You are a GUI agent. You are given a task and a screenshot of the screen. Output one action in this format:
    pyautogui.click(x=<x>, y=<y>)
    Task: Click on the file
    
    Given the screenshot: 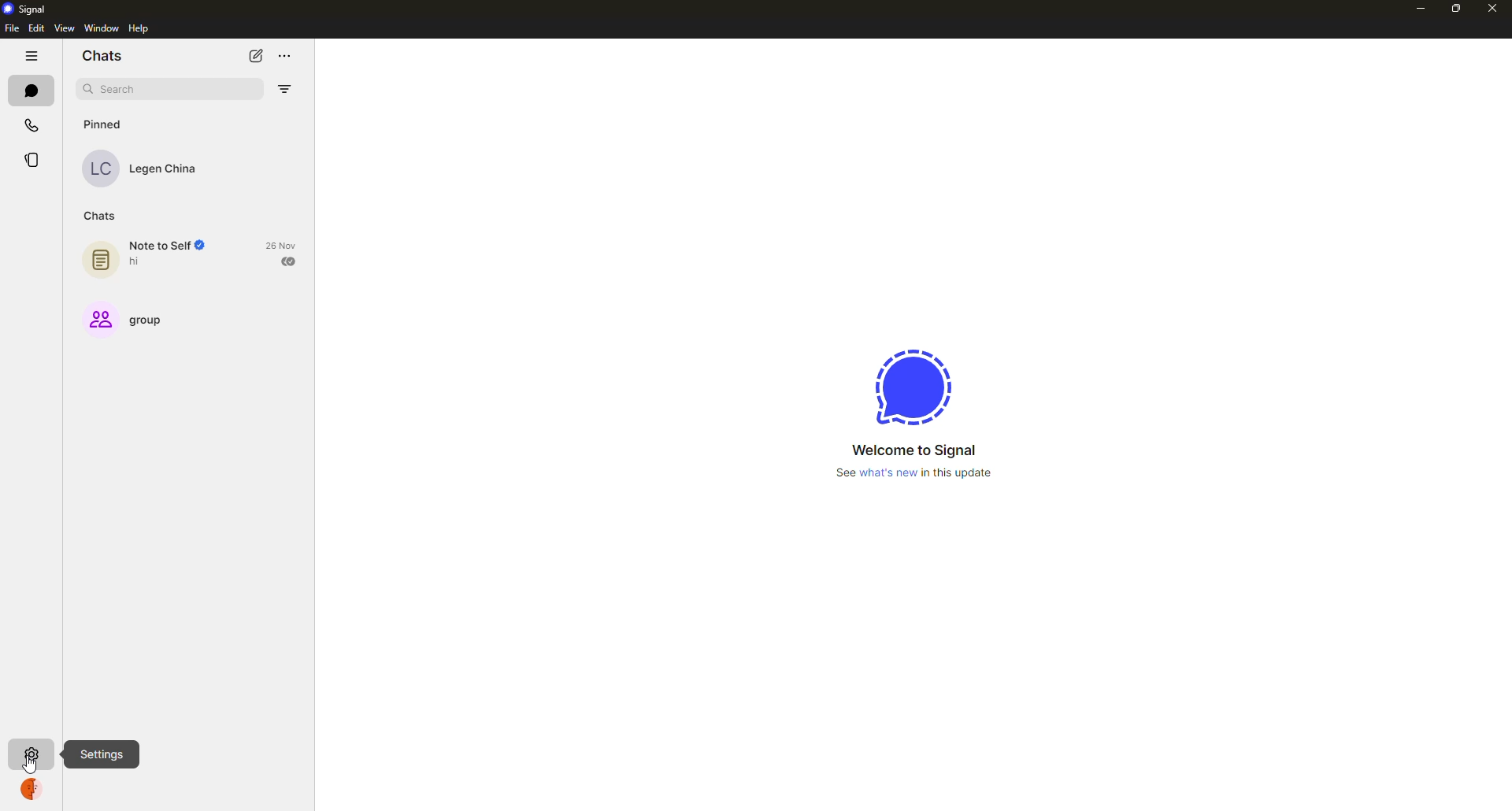 What is the action you would take?
    pyautogui.click(x=11, y=30)
    